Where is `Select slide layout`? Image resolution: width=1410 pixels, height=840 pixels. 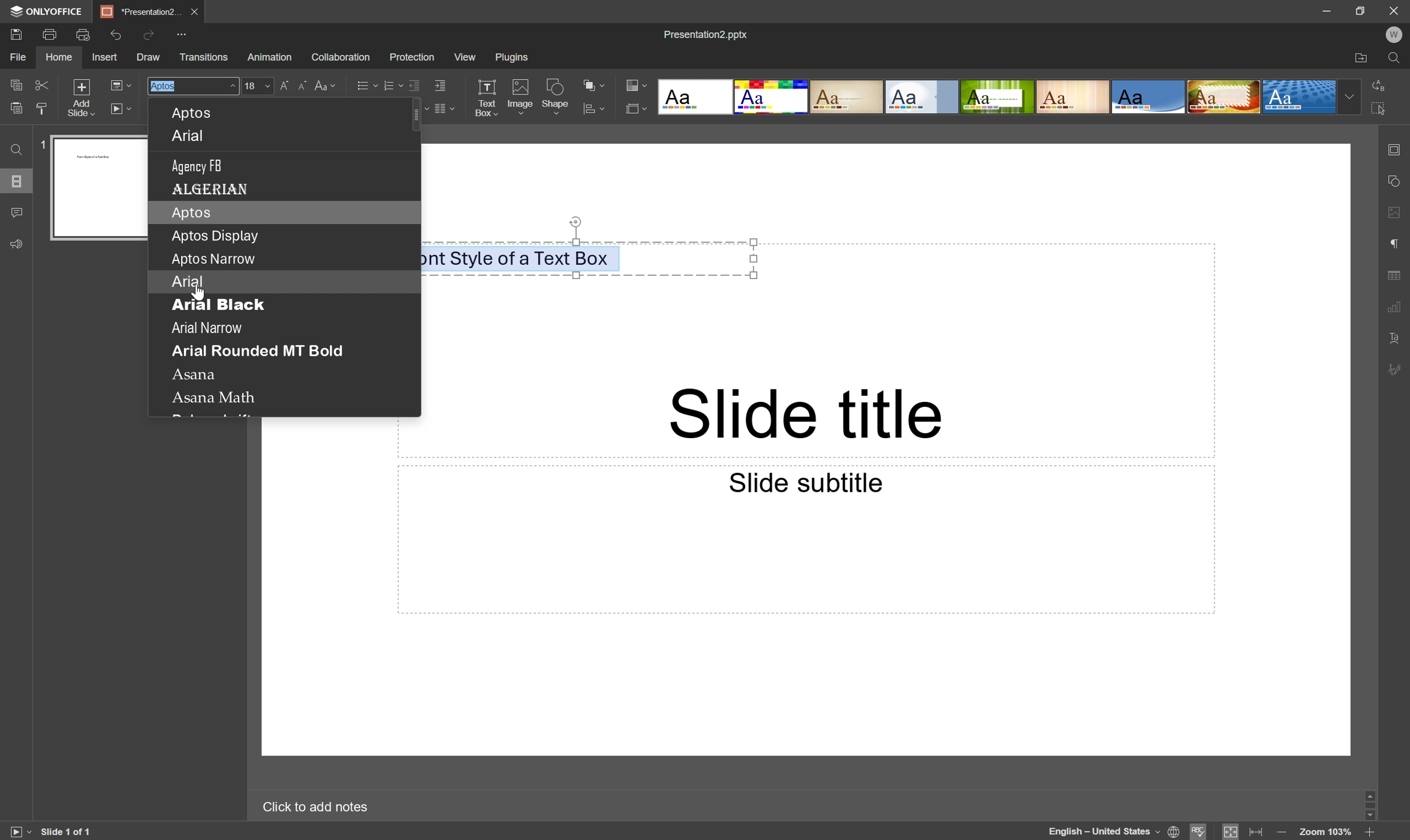
Select slide layout is located at coordinates (120, 84).